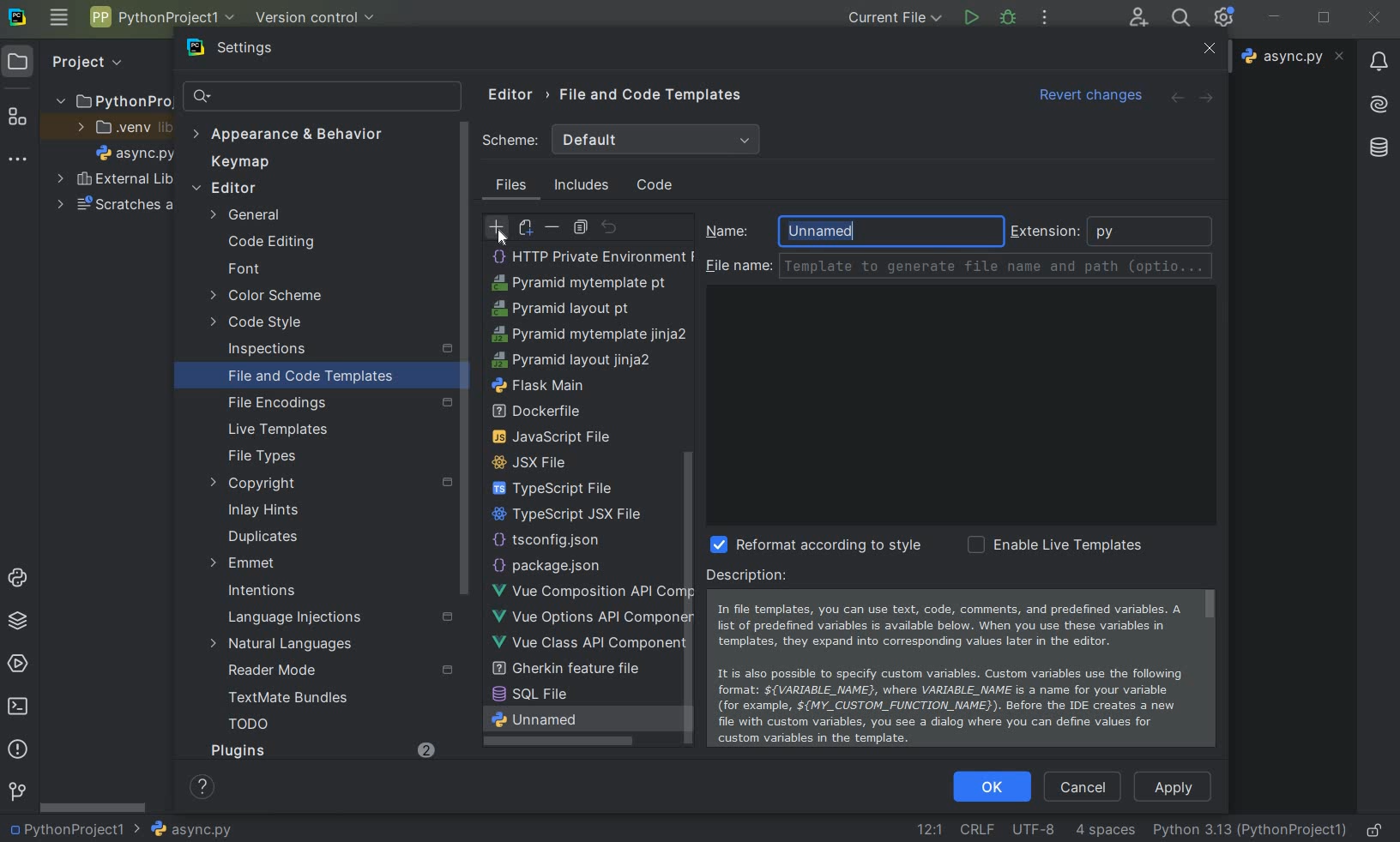 This screenshot has width=1400, height=842. I want to click on pyramid layout pt, so click(561, 668).